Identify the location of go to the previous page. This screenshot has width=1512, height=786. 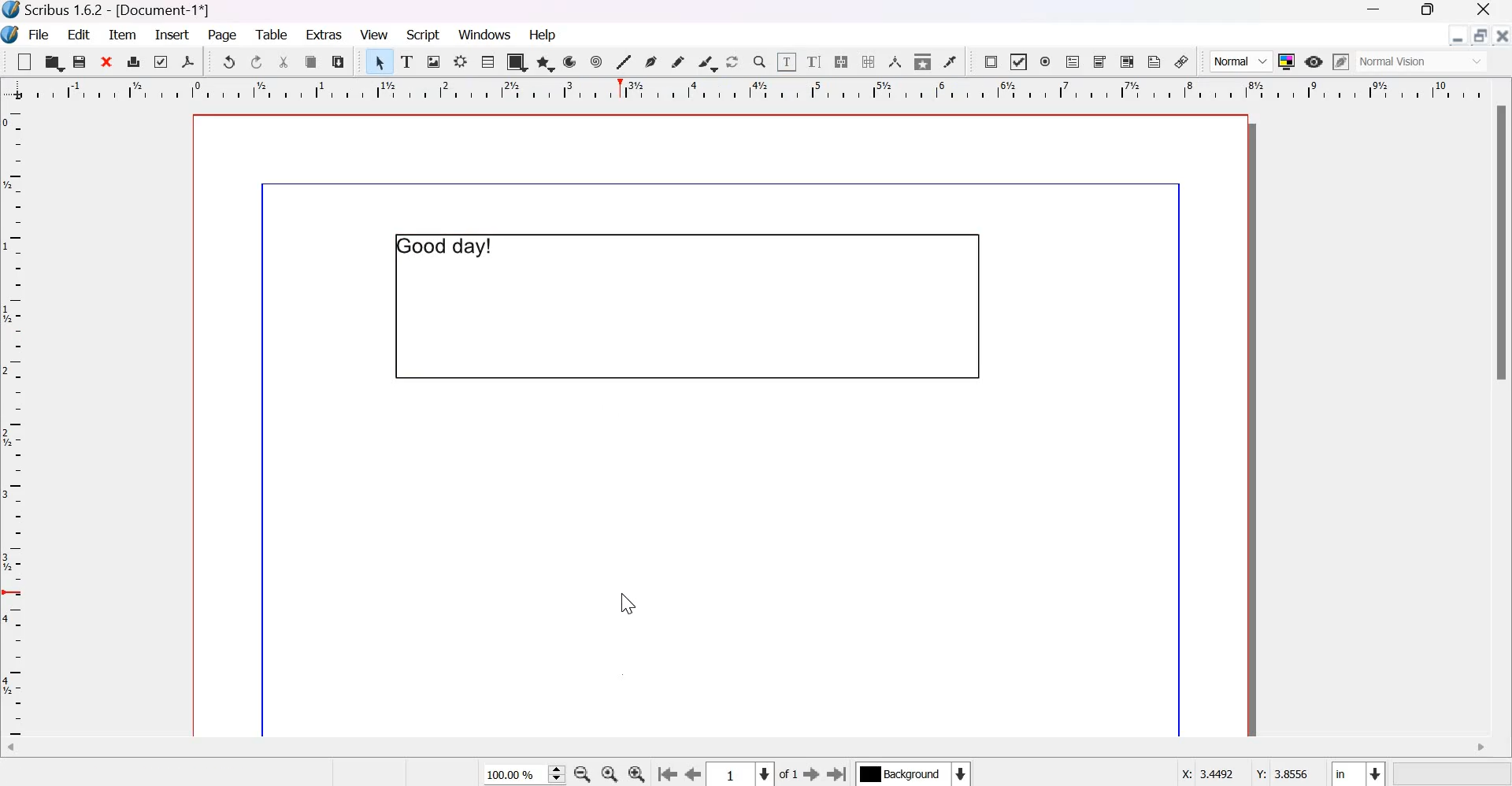
(667, 775).